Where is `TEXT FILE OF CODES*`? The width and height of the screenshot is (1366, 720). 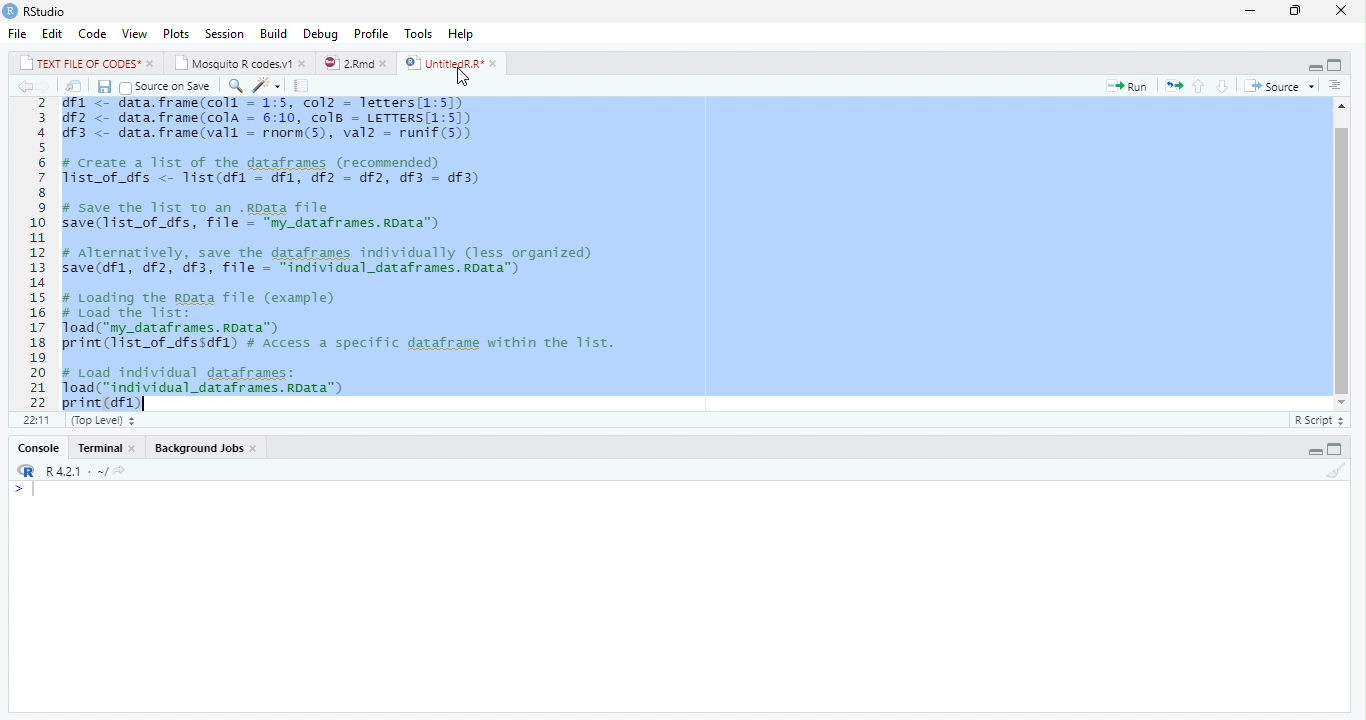 TEXT FILE OF CODES* is located at coordinates (84, 62).